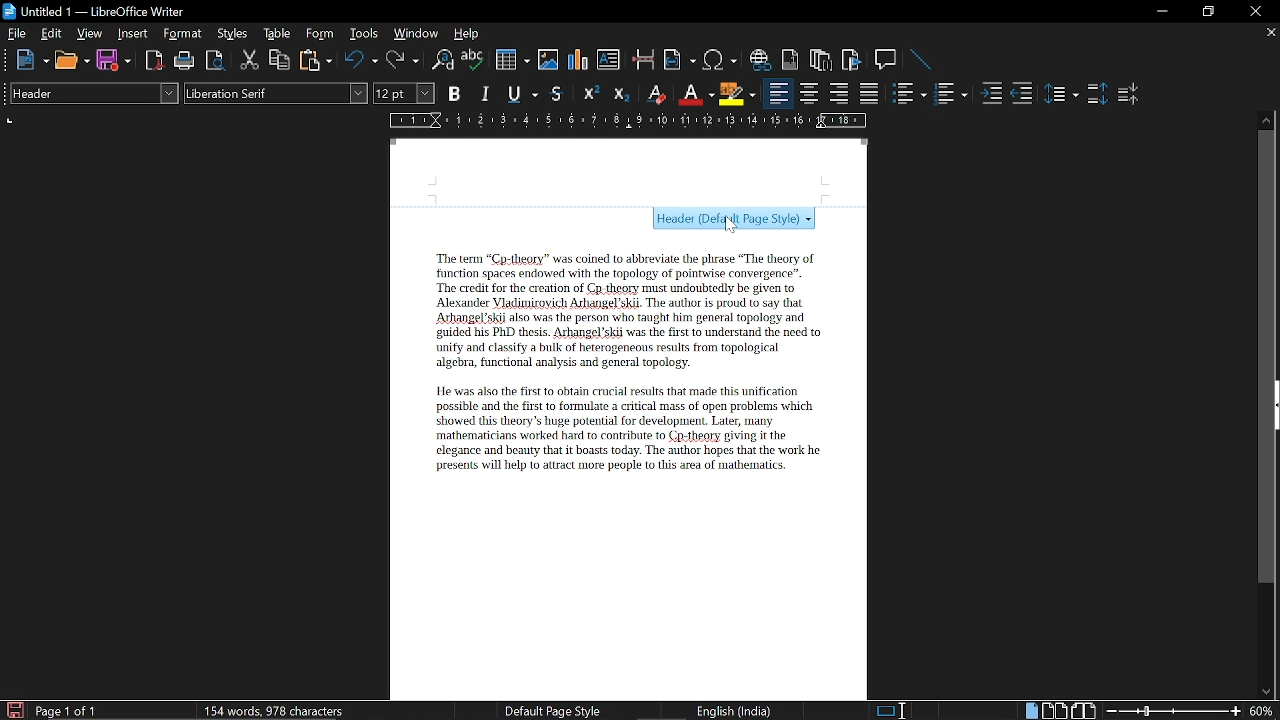  What do you see at coordinates (1060, 94) in the screenshot?
I see `Set line spacing` at bounding box center [1060, 94].